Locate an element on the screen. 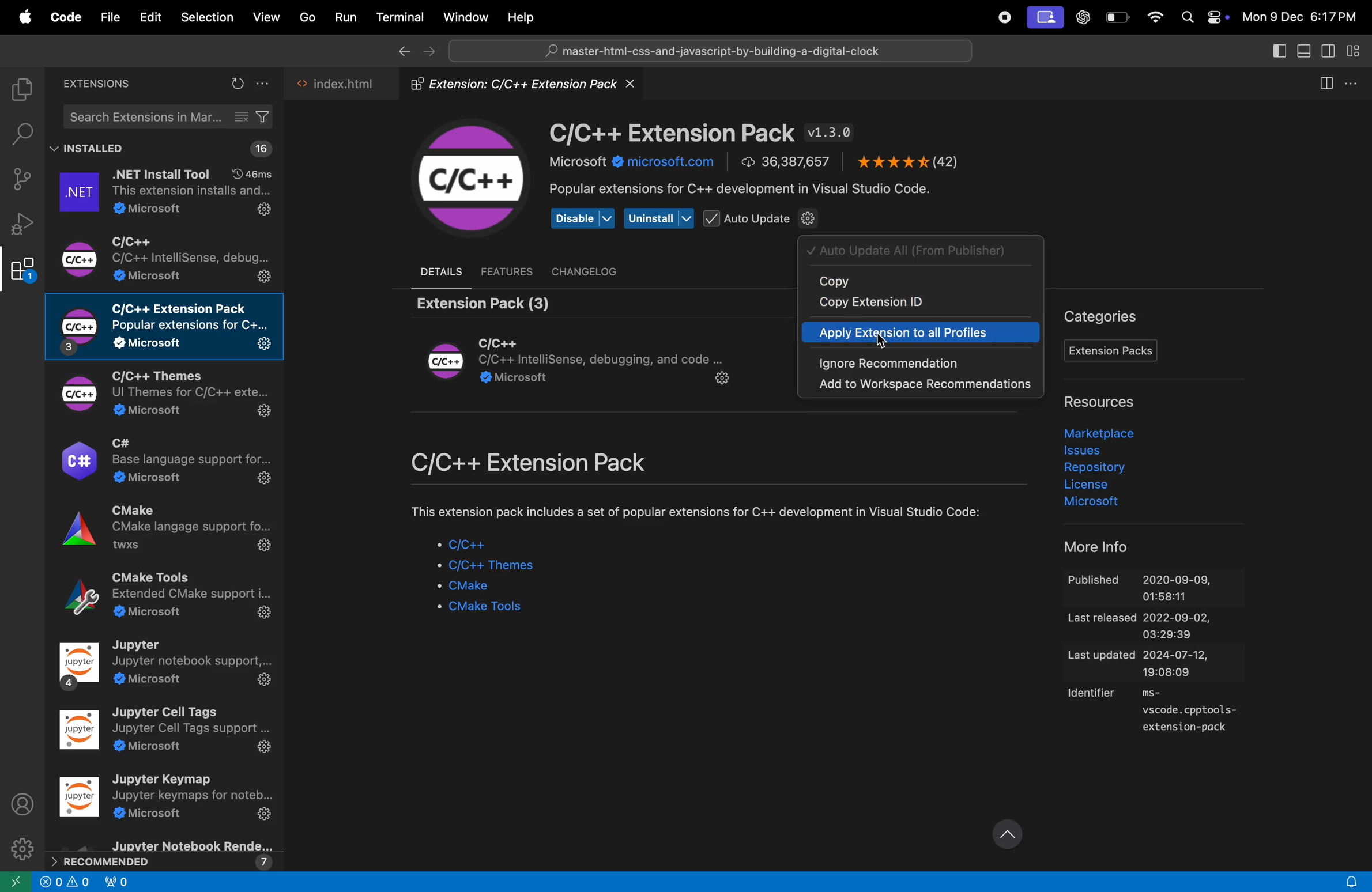 The image size is (1372, 892). popular extension is located at coordinates (748, 191).